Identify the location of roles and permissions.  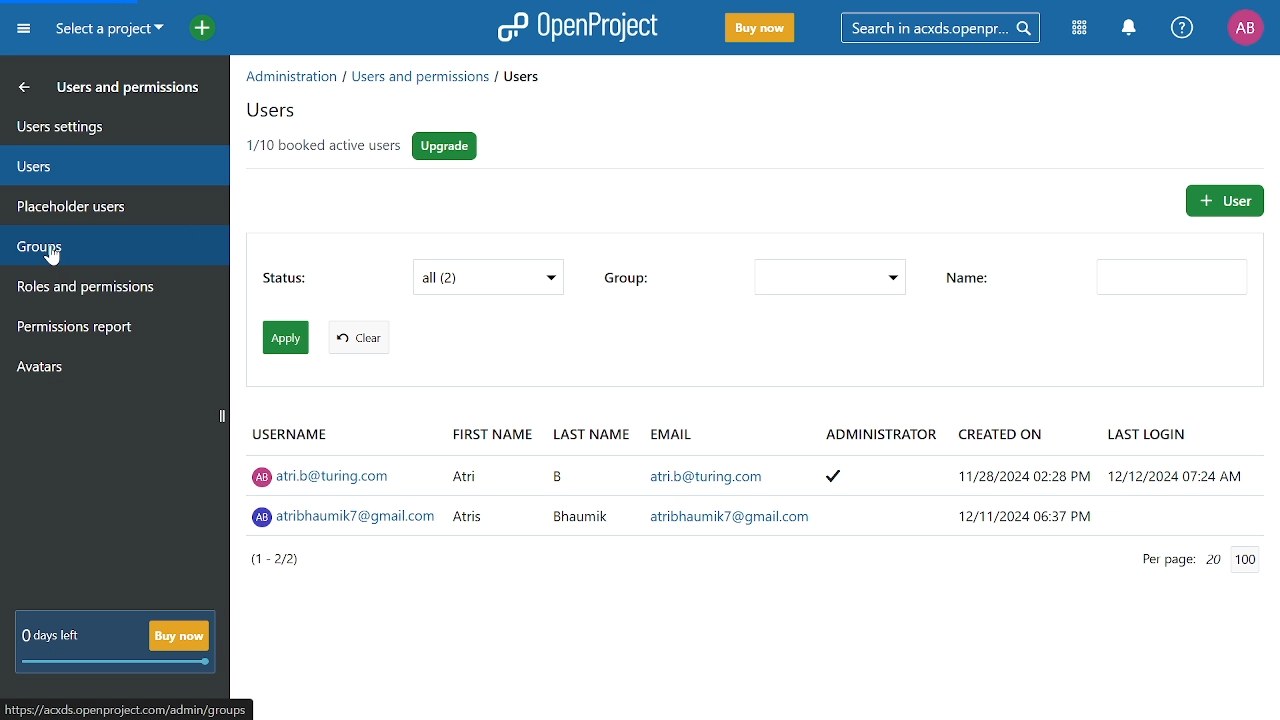
(106, 288).